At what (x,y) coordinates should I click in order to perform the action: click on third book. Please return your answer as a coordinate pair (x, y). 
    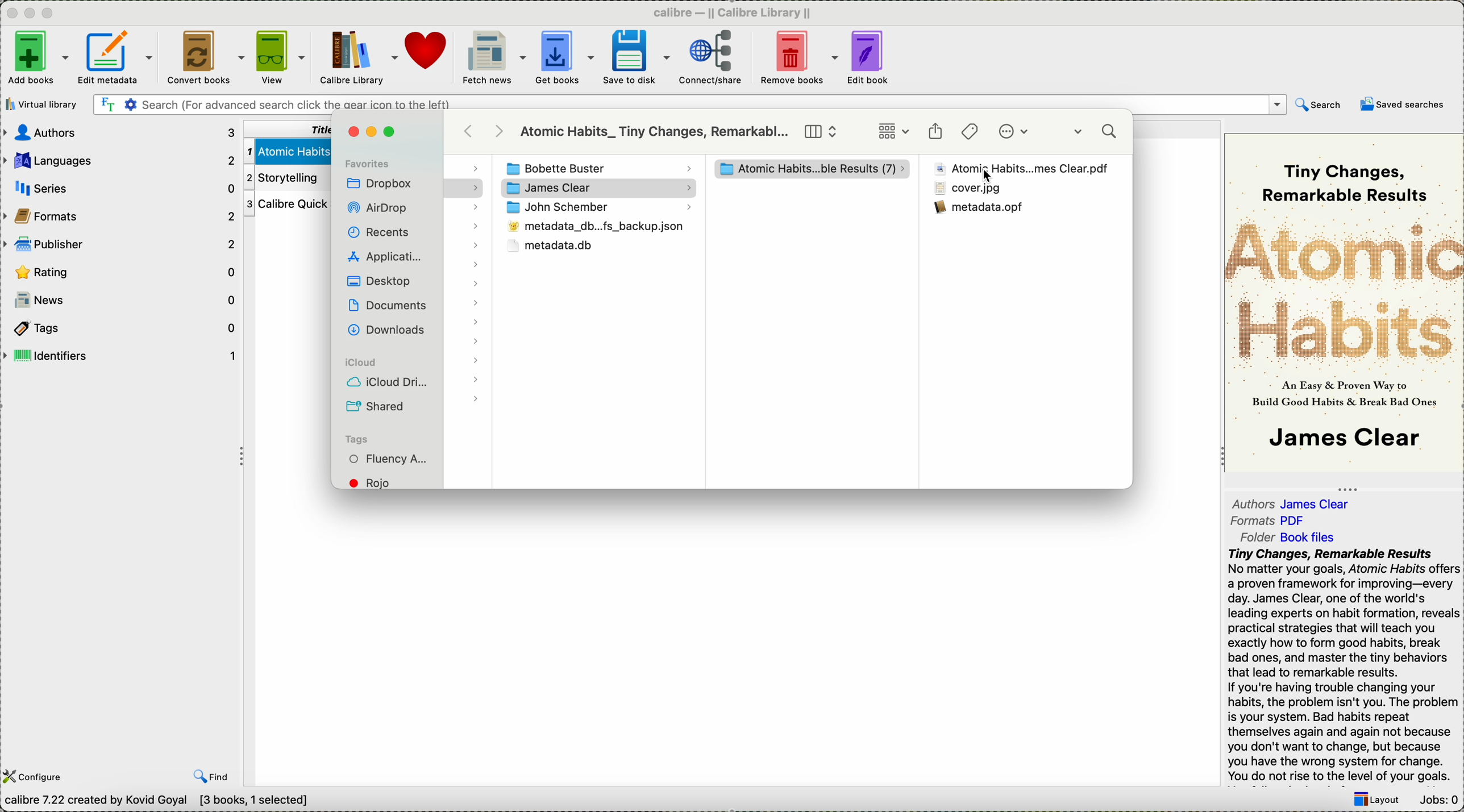
    Looking at the image, I should click on (285, 205).